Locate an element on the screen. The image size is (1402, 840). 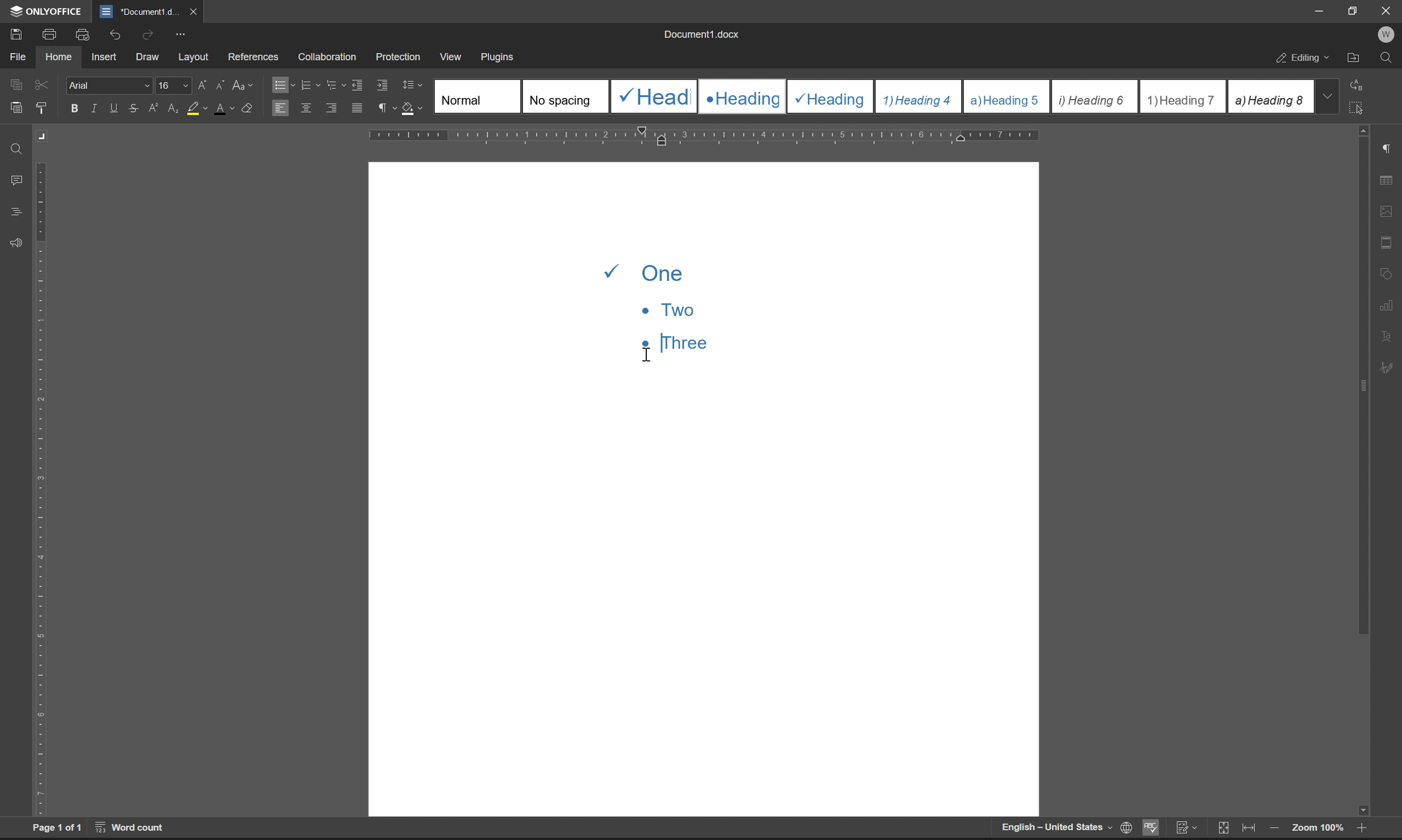
insert is located at coordinates (104, 56).